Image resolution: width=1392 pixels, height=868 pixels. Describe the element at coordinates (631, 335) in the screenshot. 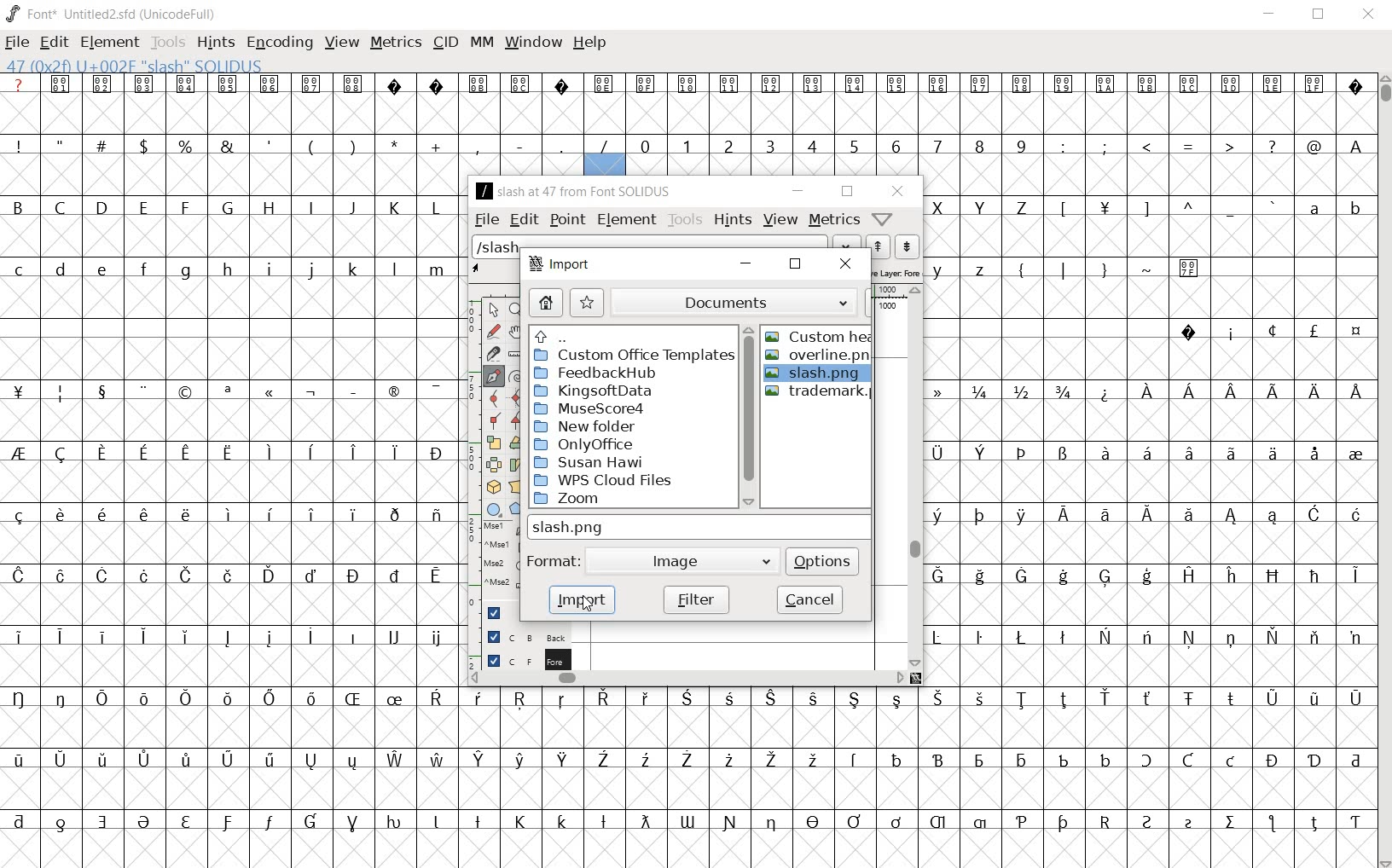

I see `up directories` at that location.